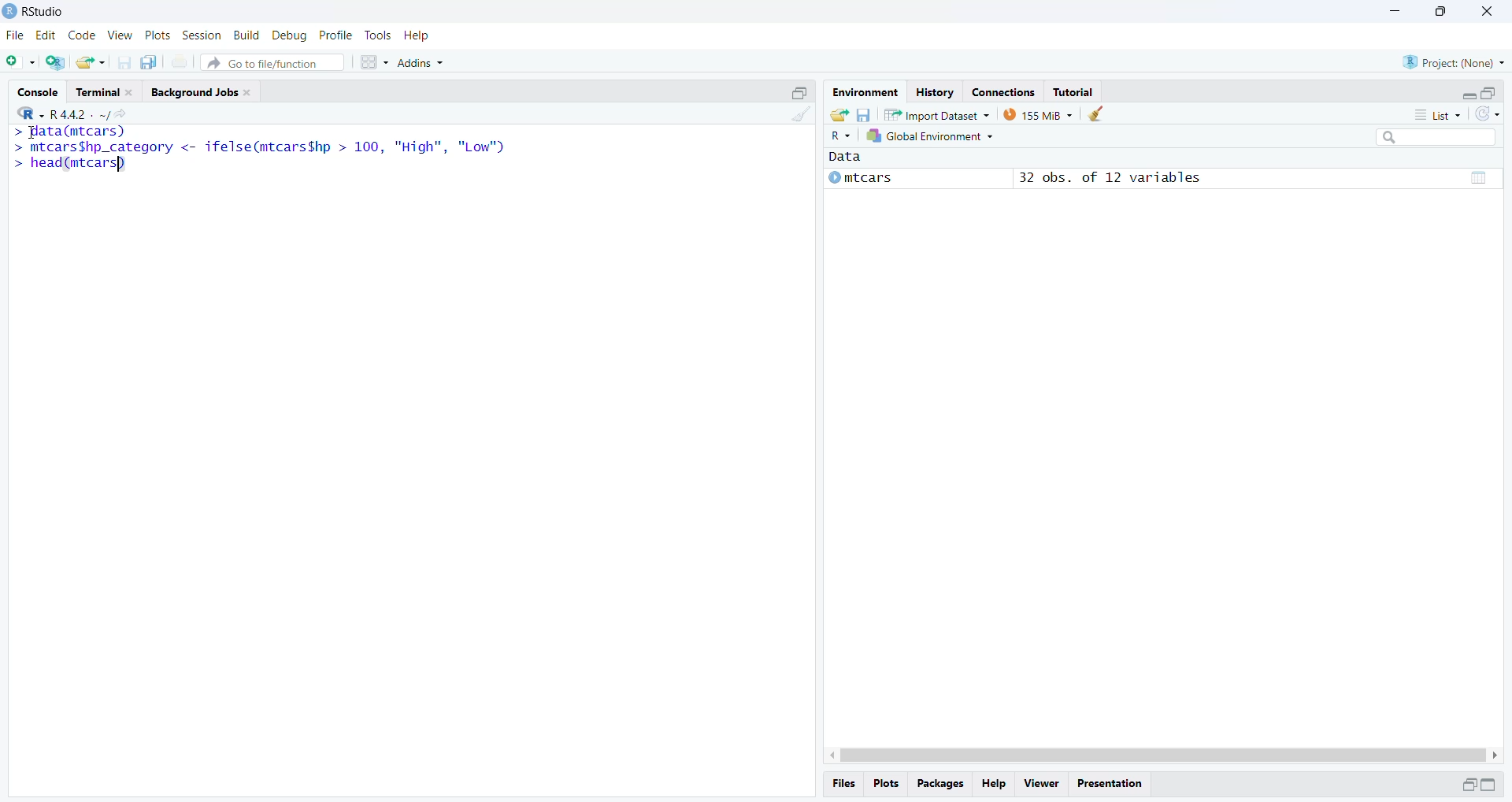 The height and width of the screenshot is (802, 1512). Describe the element at coordinates (1443, 139) in the screenshot. I see `Search bar` at that location.